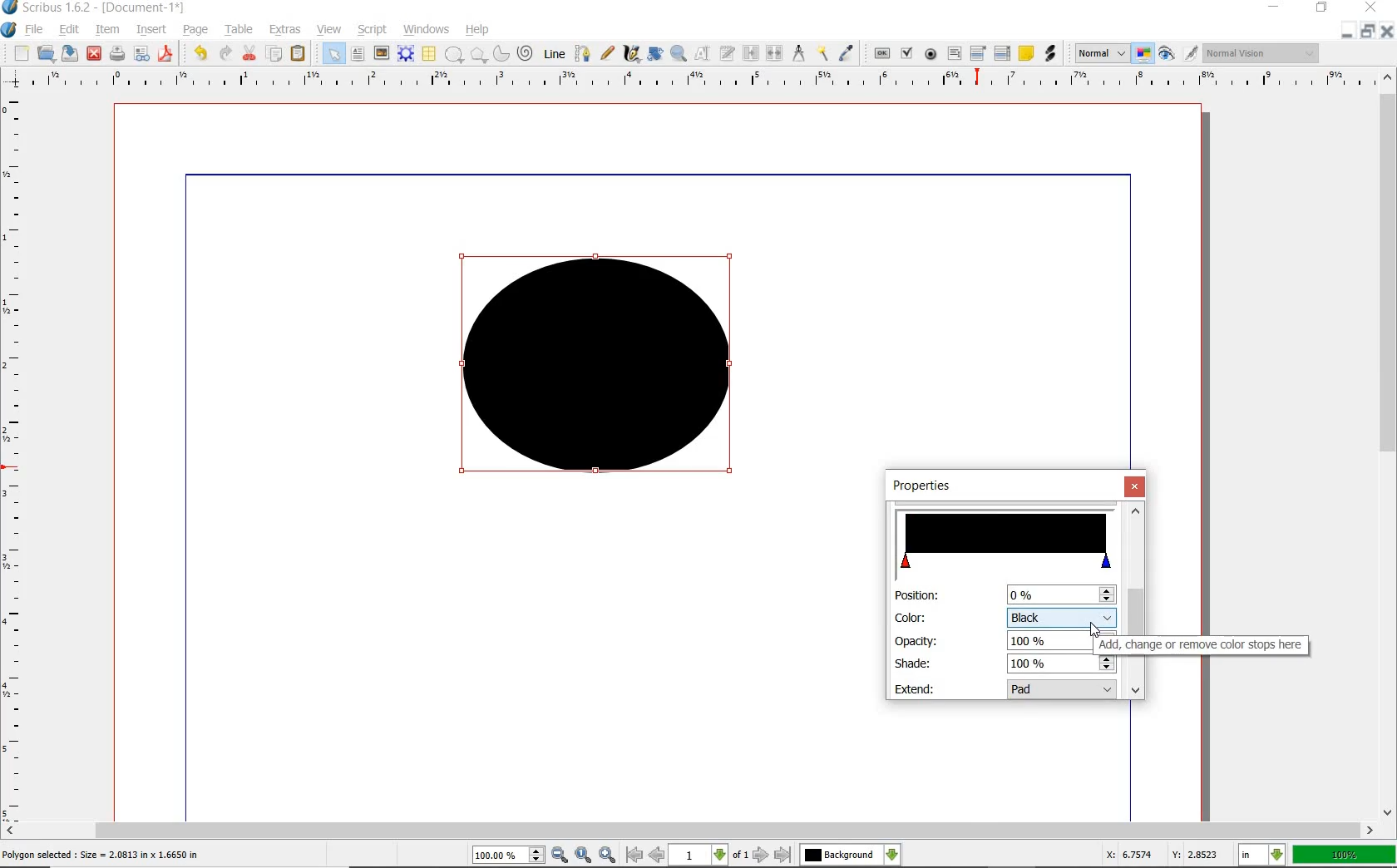  What do you see at coordinates (916, 596) in the screenshot?
I see `position` at bounding box center [916, 596].